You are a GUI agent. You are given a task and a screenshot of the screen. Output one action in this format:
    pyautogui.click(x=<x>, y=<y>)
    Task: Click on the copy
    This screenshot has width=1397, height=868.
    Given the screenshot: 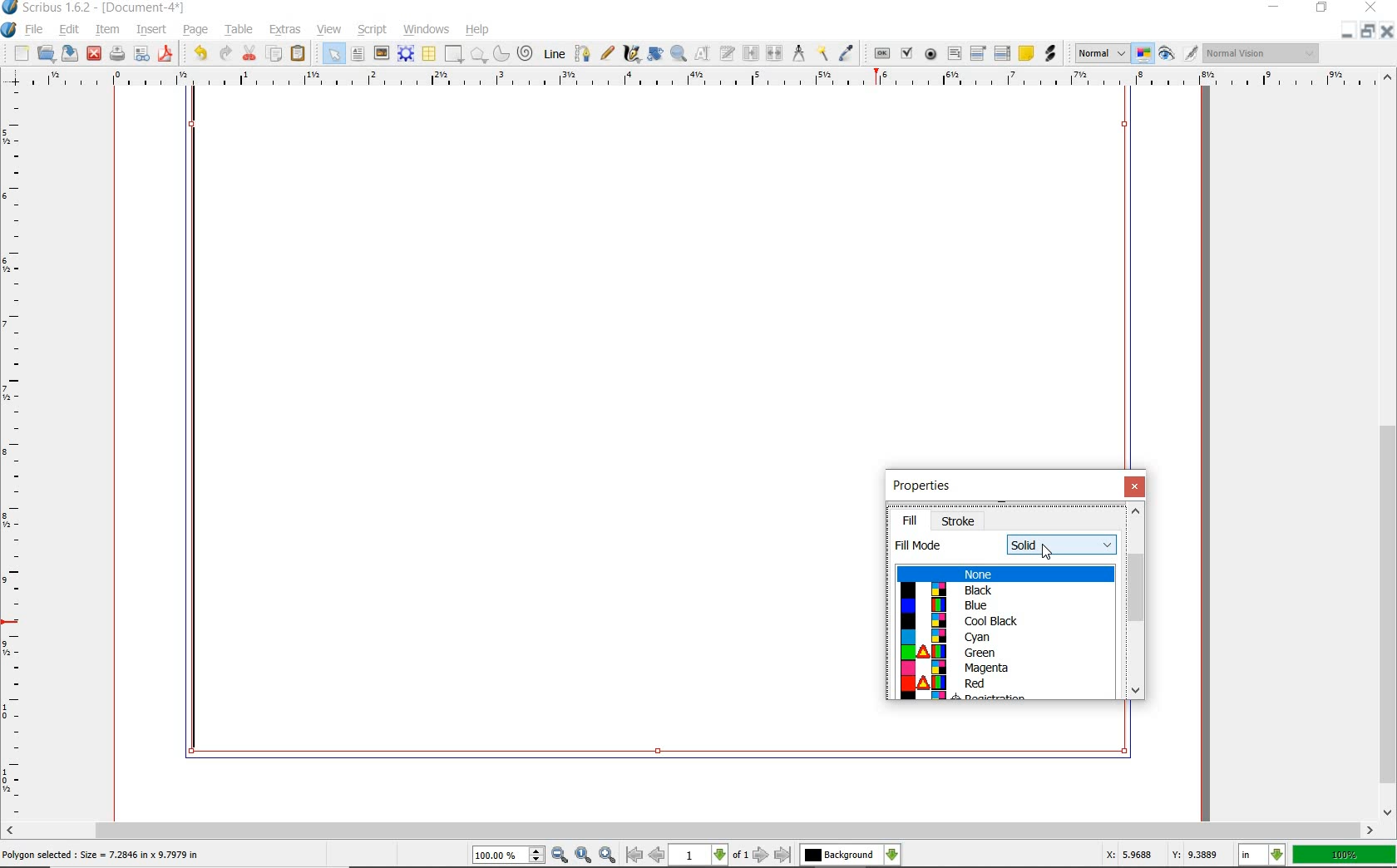 What is the action you would take?
    pyautogui.click(x=275, y=54)
    